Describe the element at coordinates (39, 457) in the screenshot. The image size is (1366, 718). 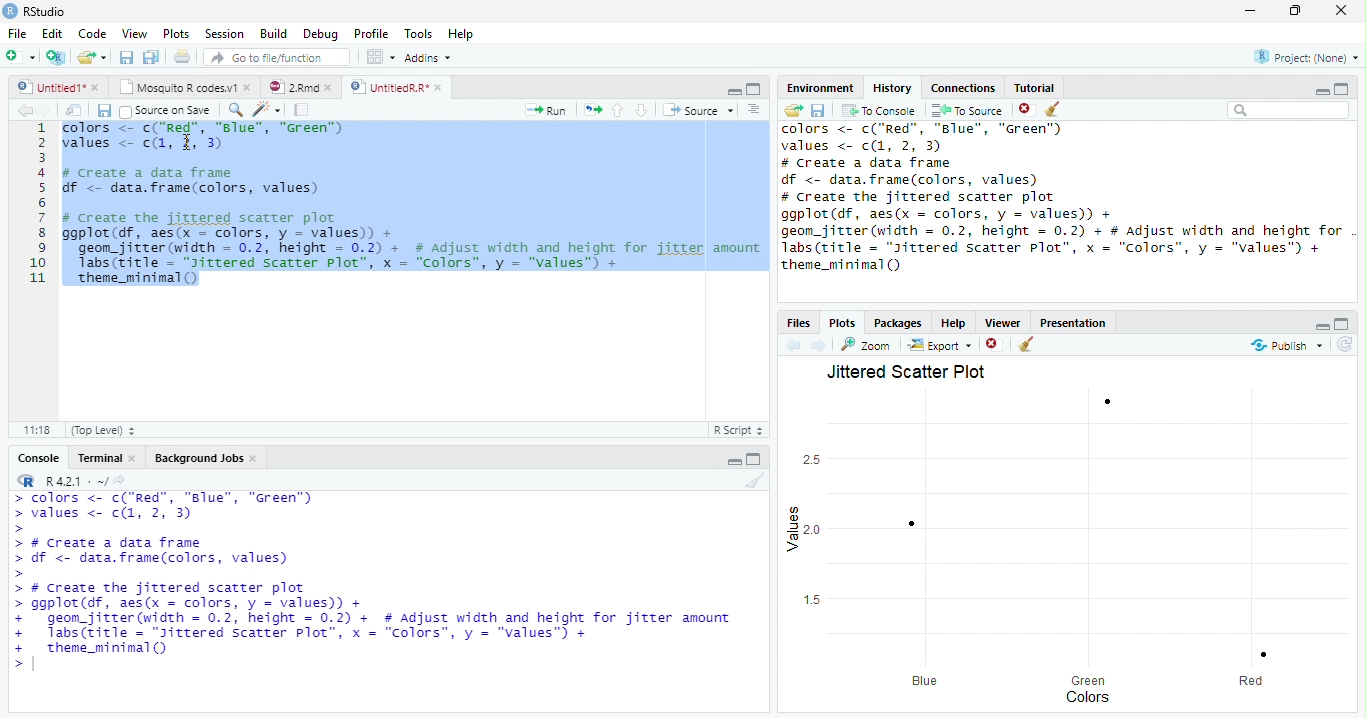
I see `Console` at that location.